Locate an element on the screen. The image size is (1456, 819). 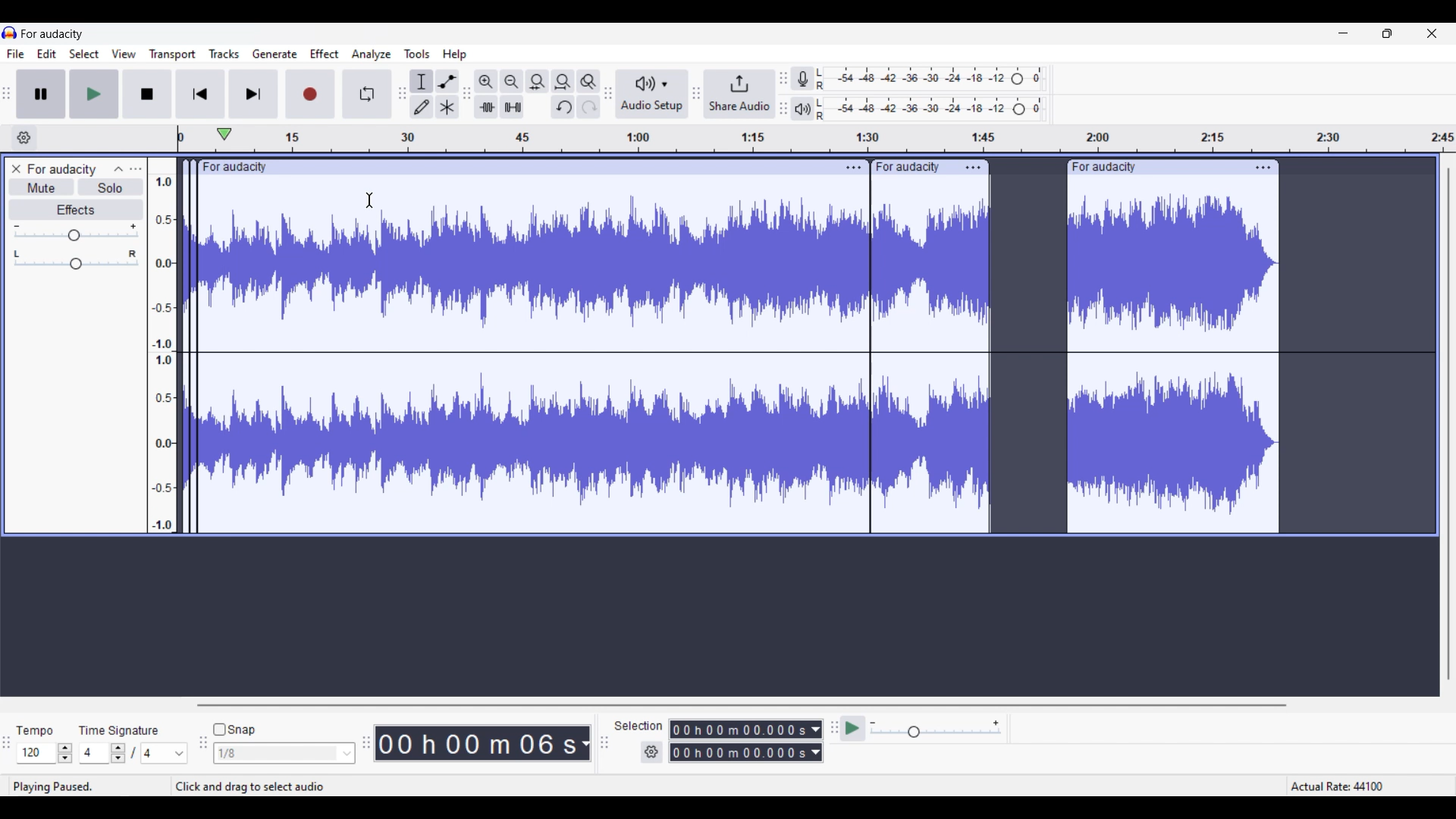
fit selection to width is located at coordinates (536, 81).